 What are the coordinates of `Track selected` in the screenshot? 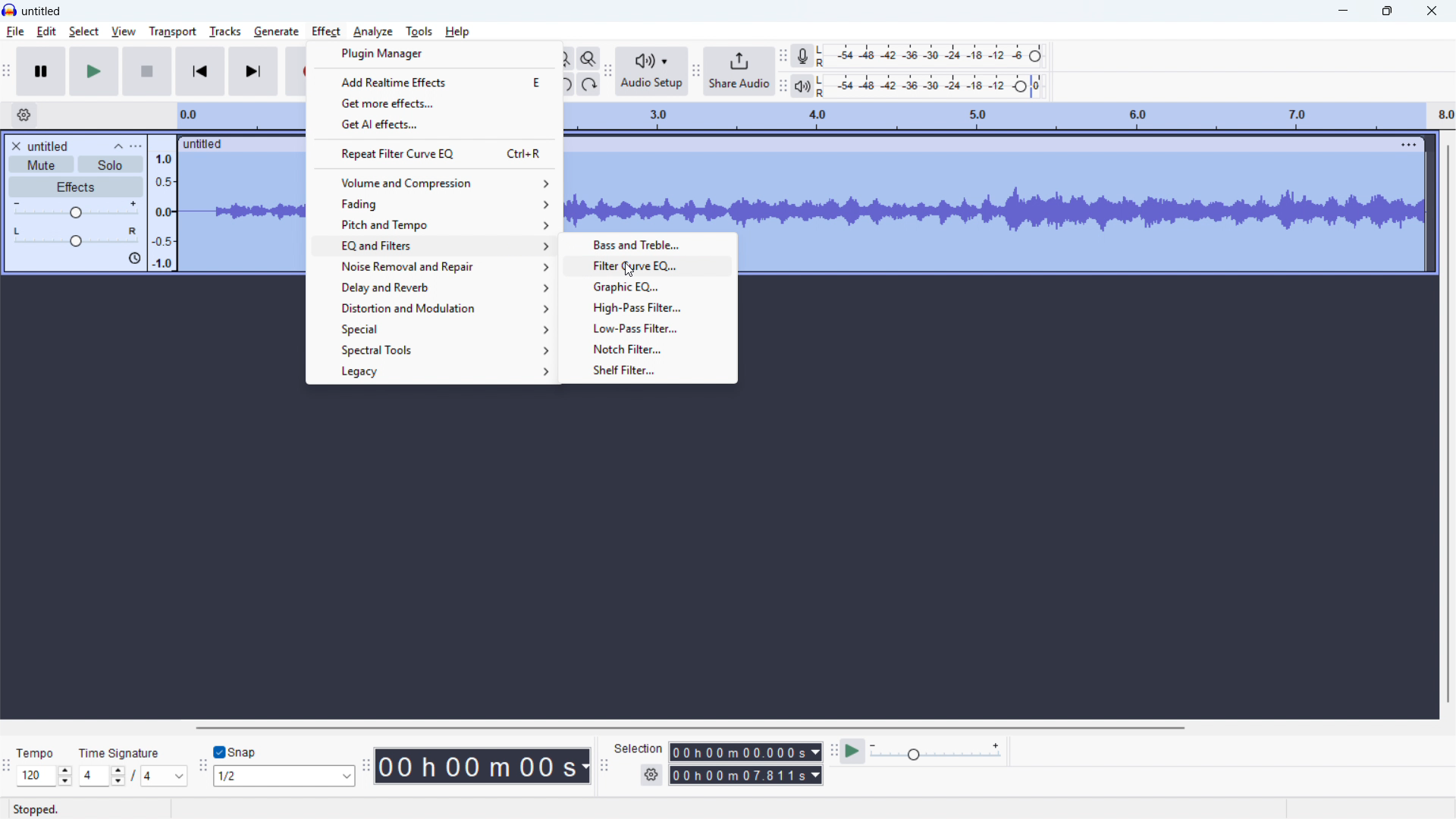 It's located at (1083, 213).